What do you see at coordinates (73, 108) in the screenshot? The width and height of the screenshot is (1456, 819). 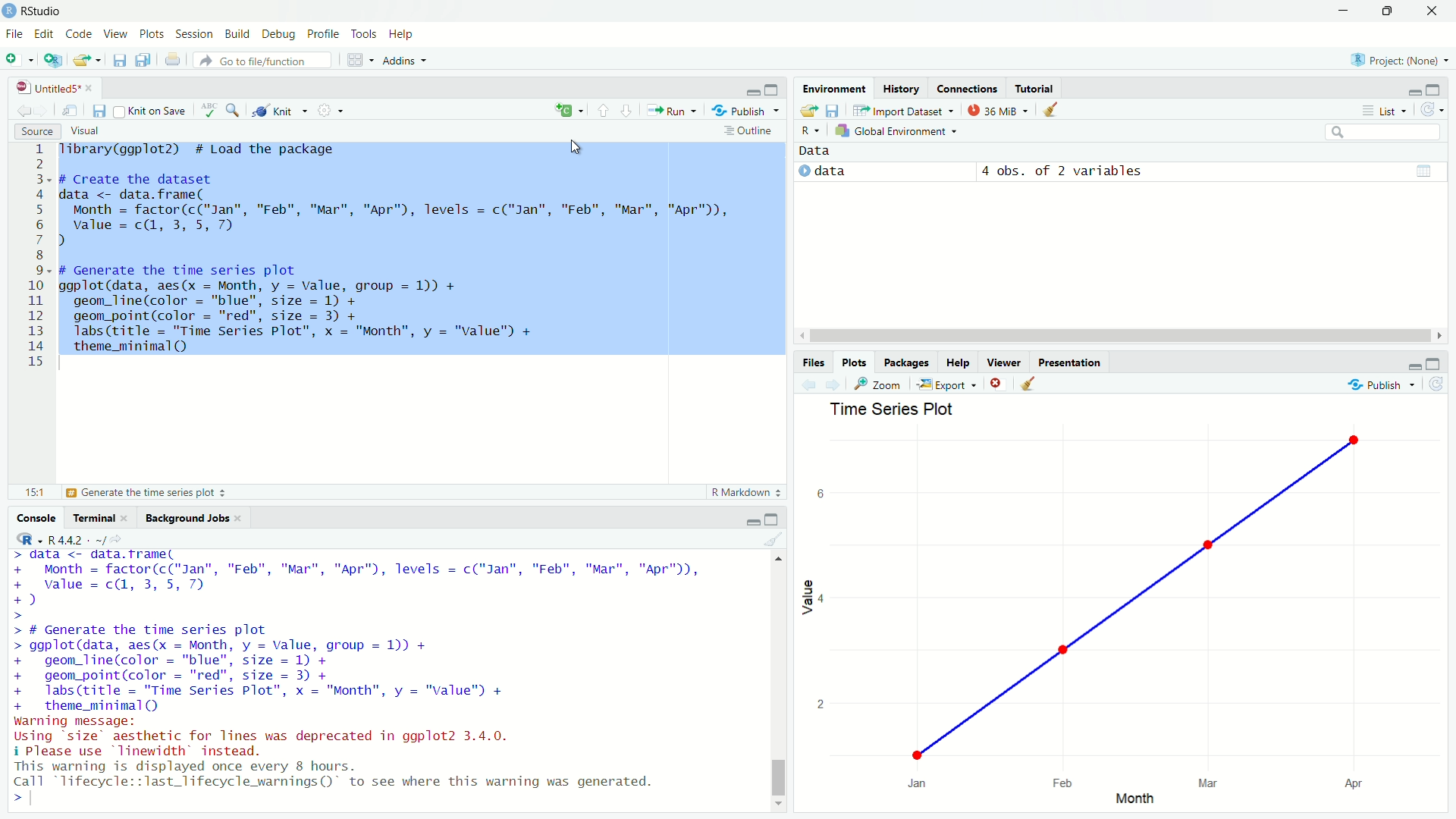 I see `show in new window` at bounding box center [73, 108].